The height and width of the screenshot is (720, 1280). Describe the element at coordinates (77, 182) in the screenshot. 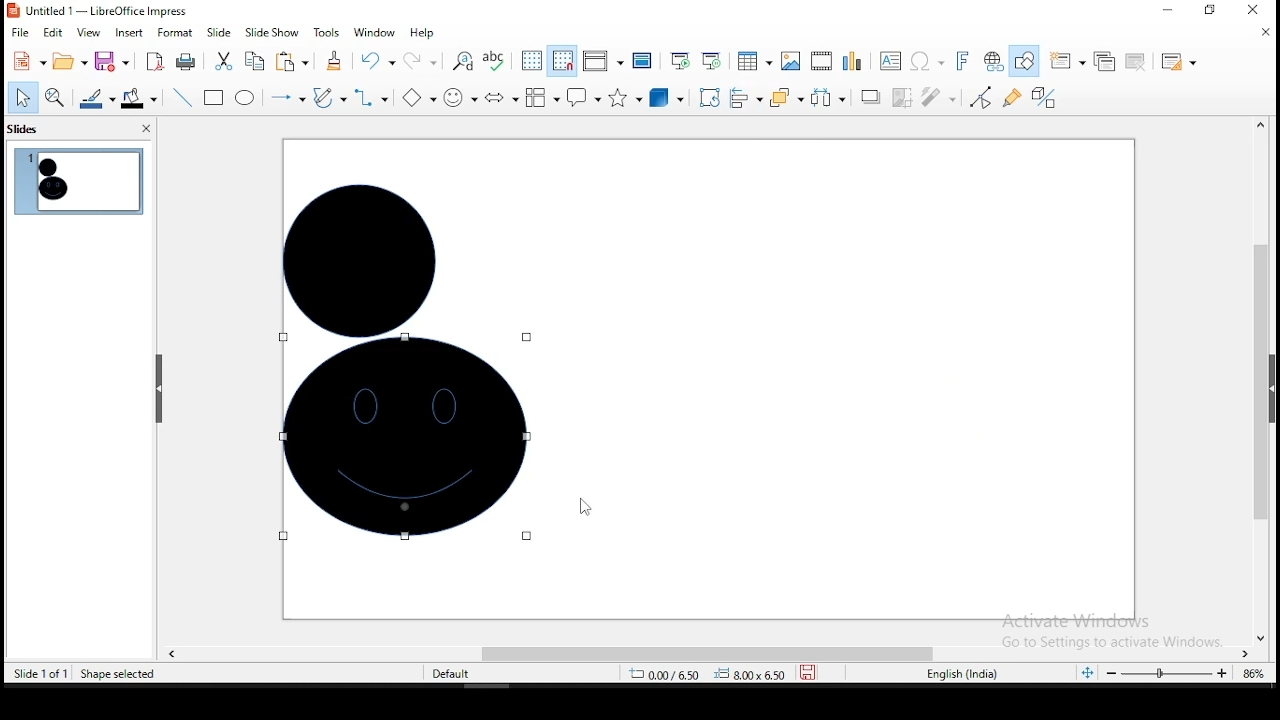

I see `slide 1` at that location.